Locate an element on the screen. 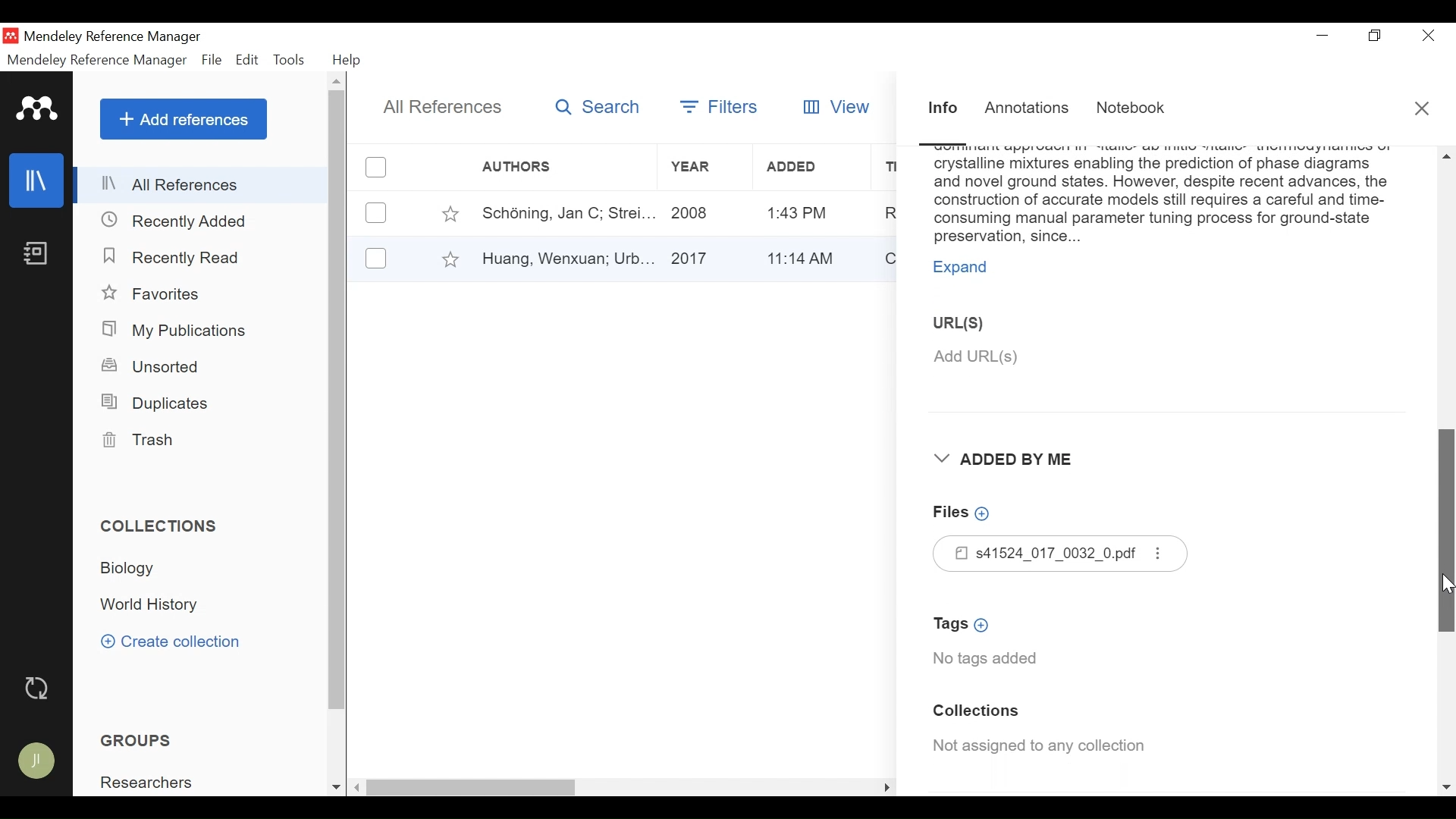 This screenshot has width=1456, height=819. Avatar is located at coordinates (37, 761).